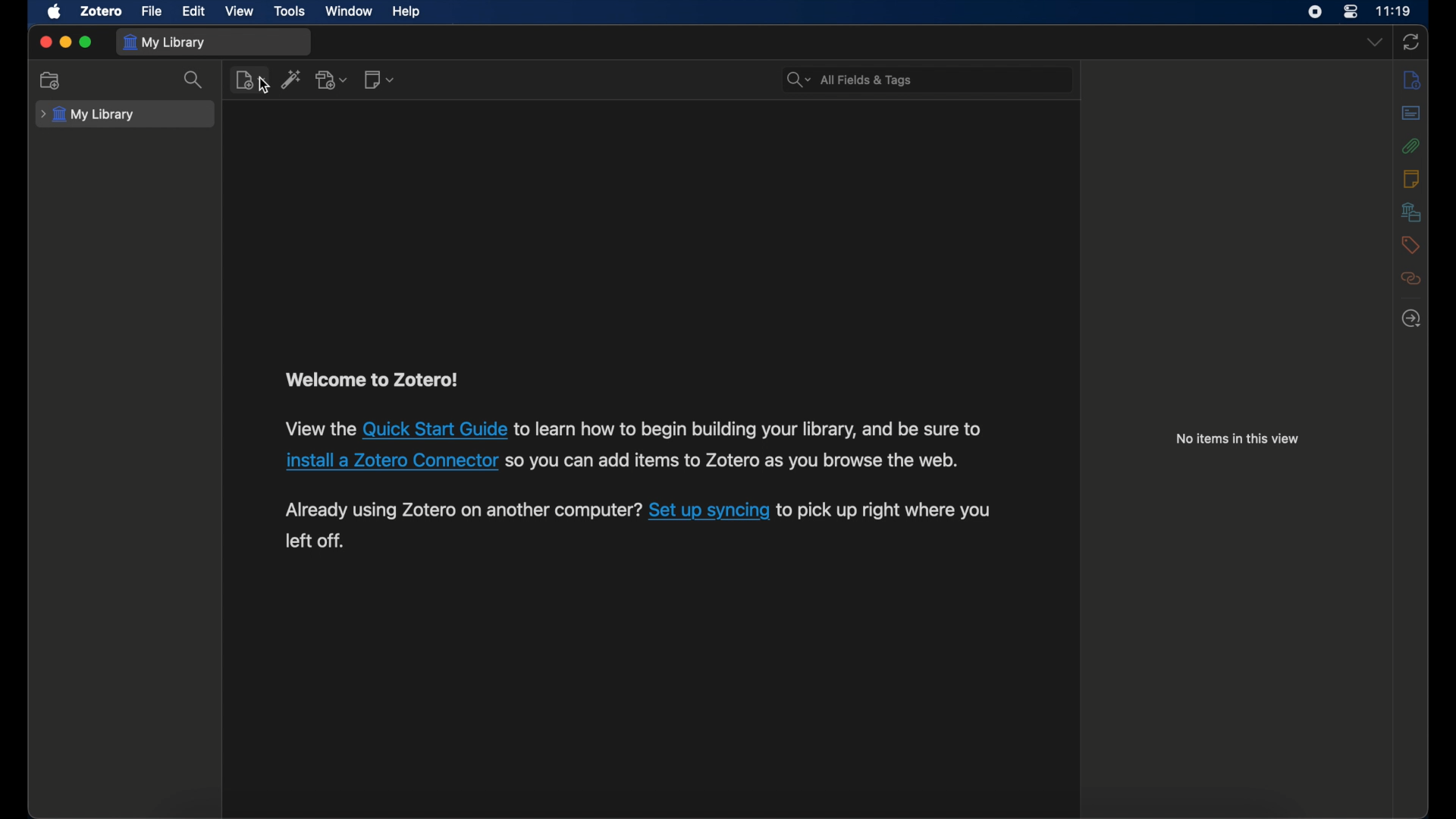 The height and width of the screenshot is (819, 1456). Describe the element at coordinates (1411, 212) in the screenshot. I see `libraries` at that location.